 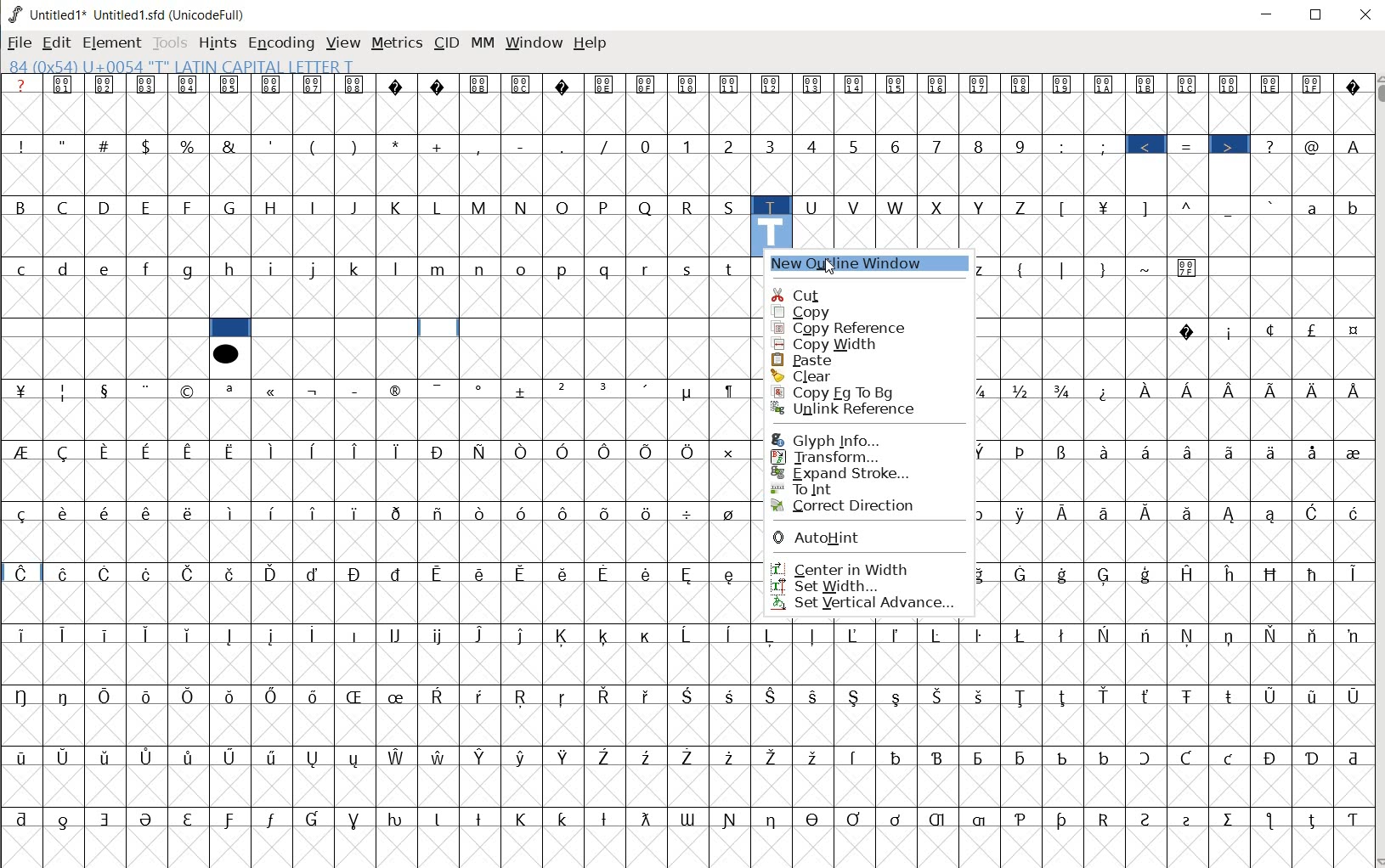 What do you see at coordinates (982, 696) in the screenshot?
I see `Symbol` at bounding box center [982, 696].